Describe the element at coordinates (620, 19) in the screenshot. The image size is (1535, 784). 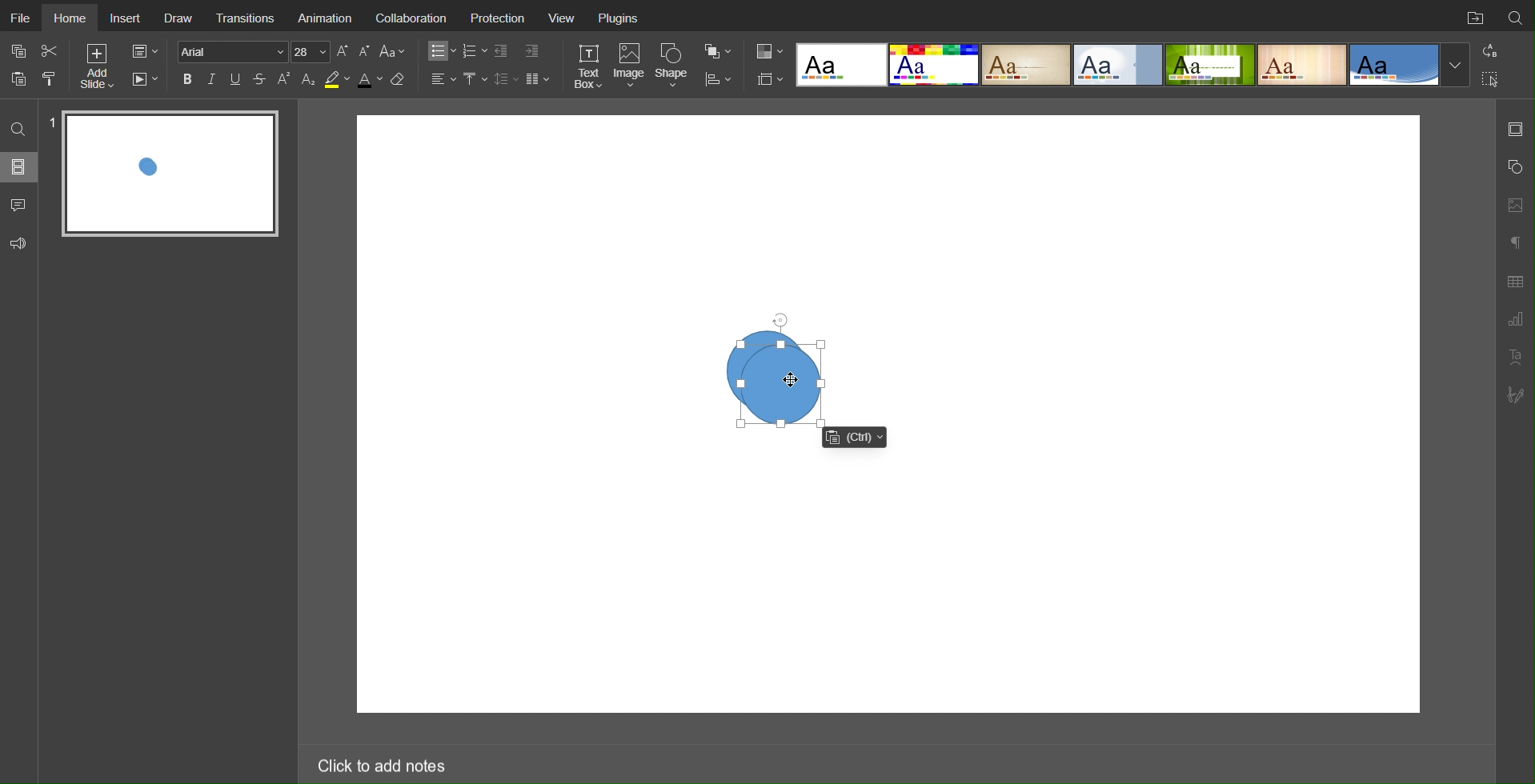
I see `Plugins` at that location.